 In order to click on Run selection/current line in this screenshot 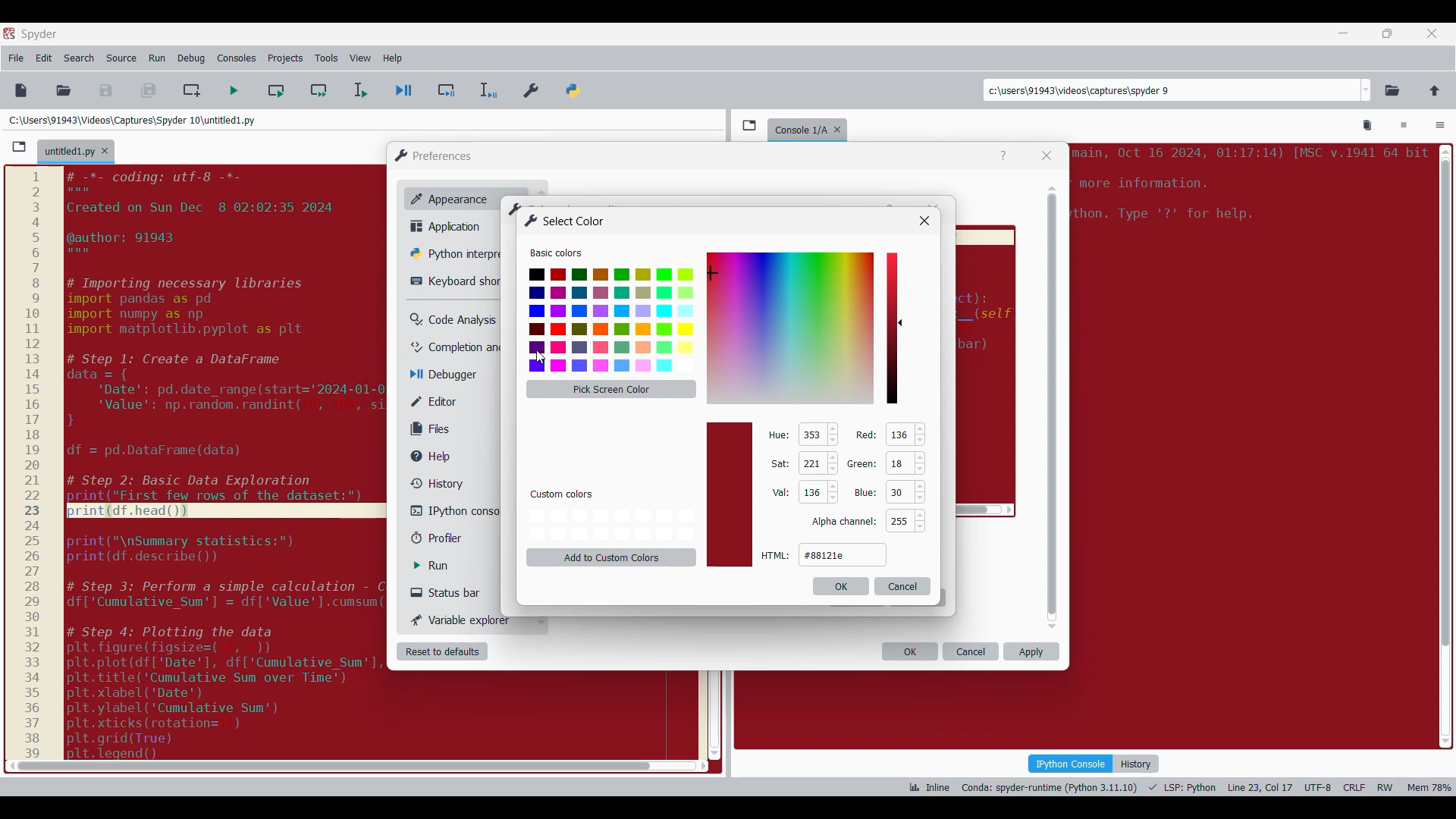, I will do `click(359, 90)`.